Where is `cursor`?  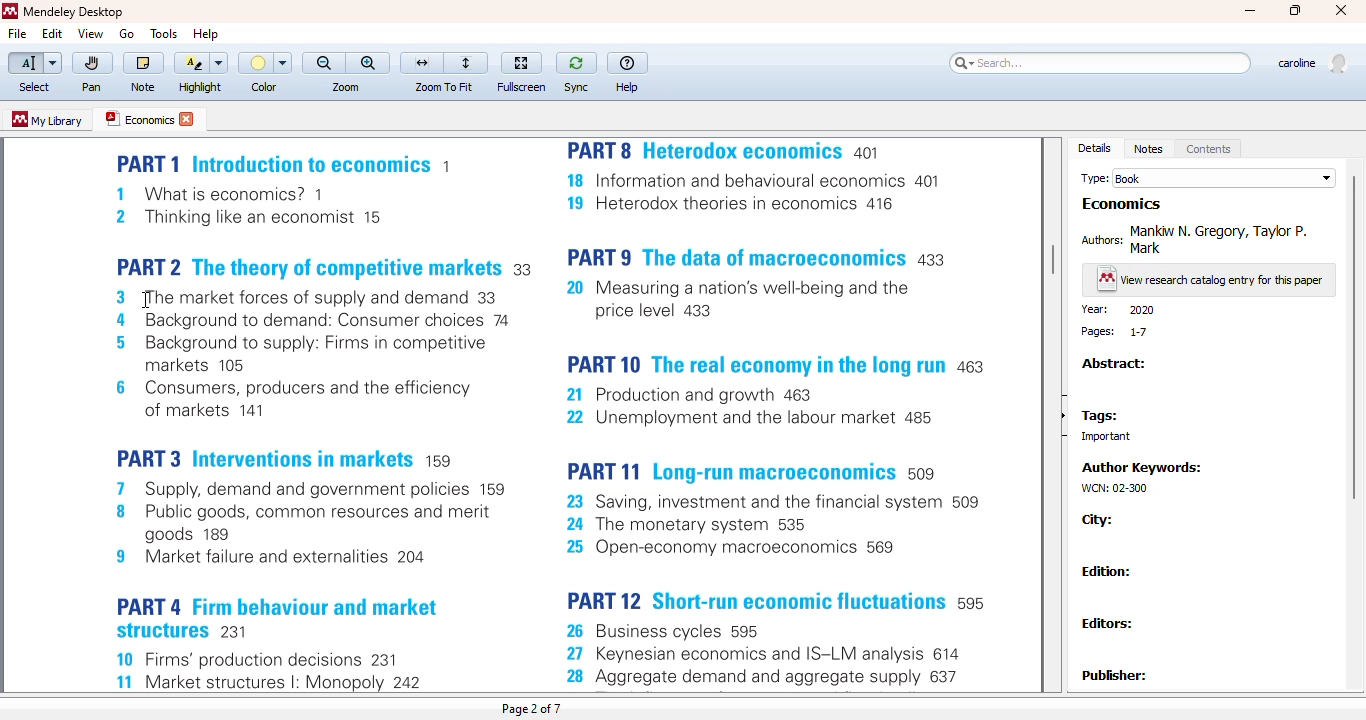
cursor is located at coordinates (153, 300).